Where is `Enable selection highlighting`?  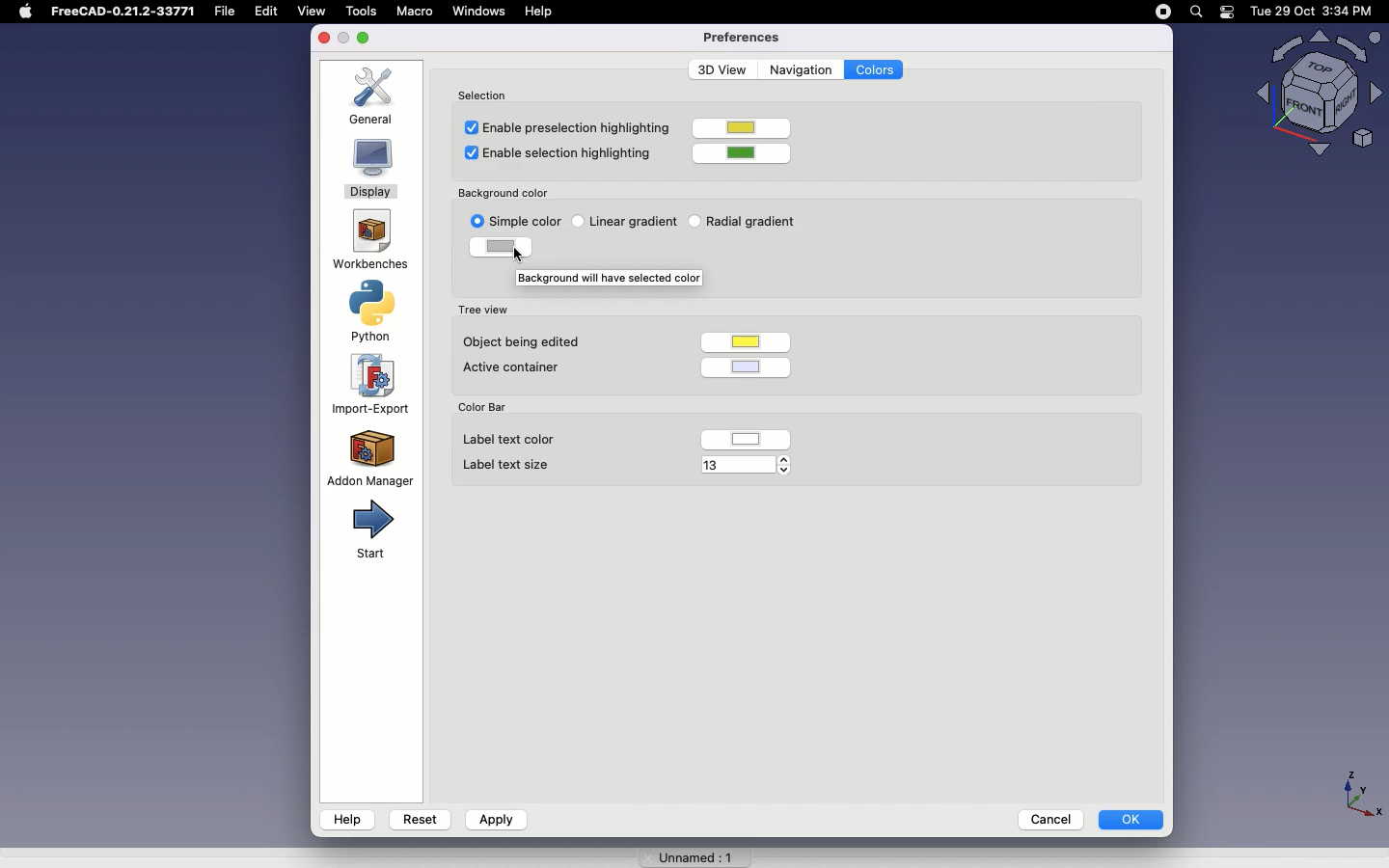 Enable selection highlighting is located at coordinates (561, 155).